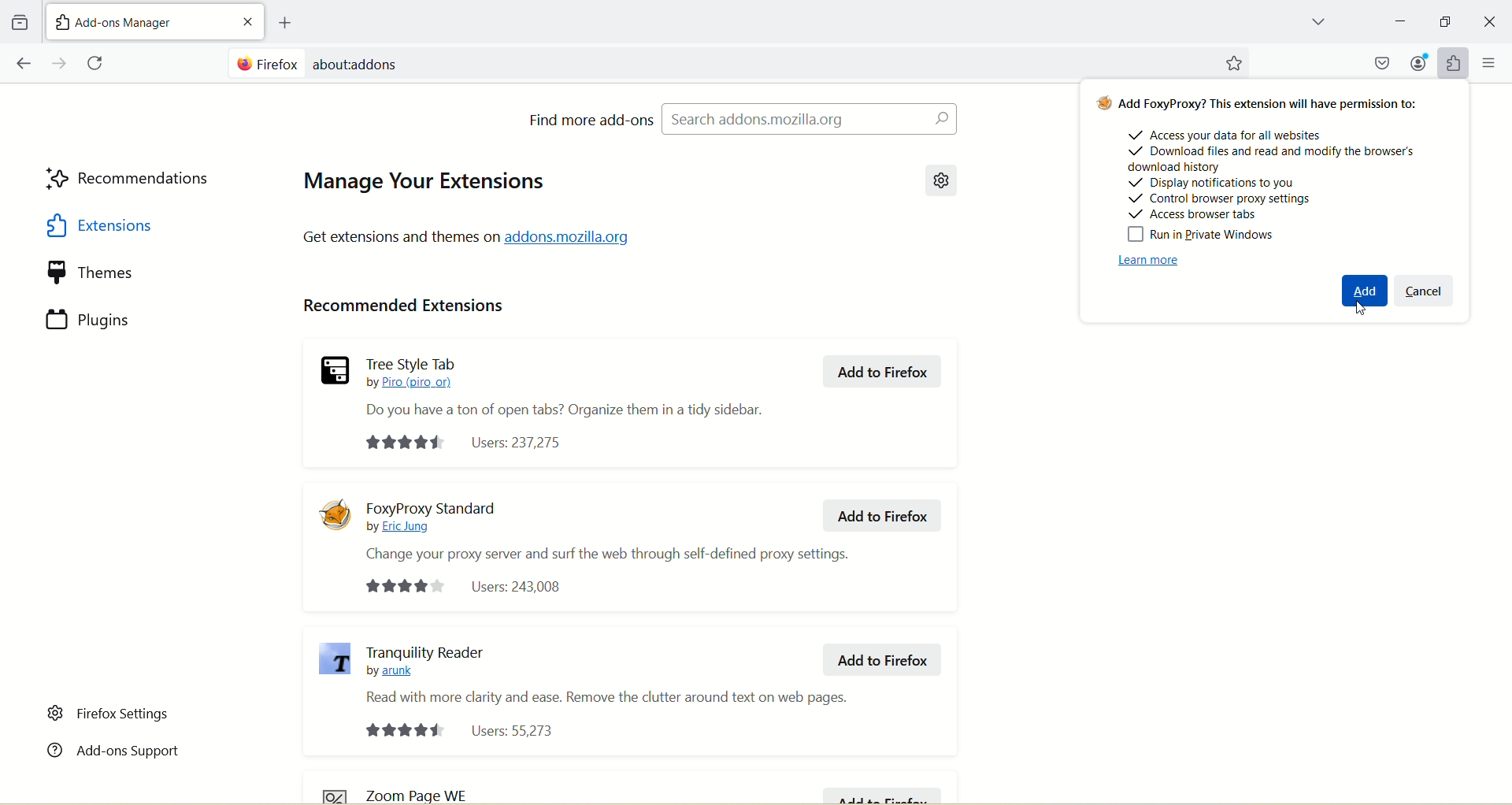 The width and height of the screenshot is (1512, 805). Describe the element at coordinates (881, 516) in the screenshot. I see `Add to Firefox` at that location.